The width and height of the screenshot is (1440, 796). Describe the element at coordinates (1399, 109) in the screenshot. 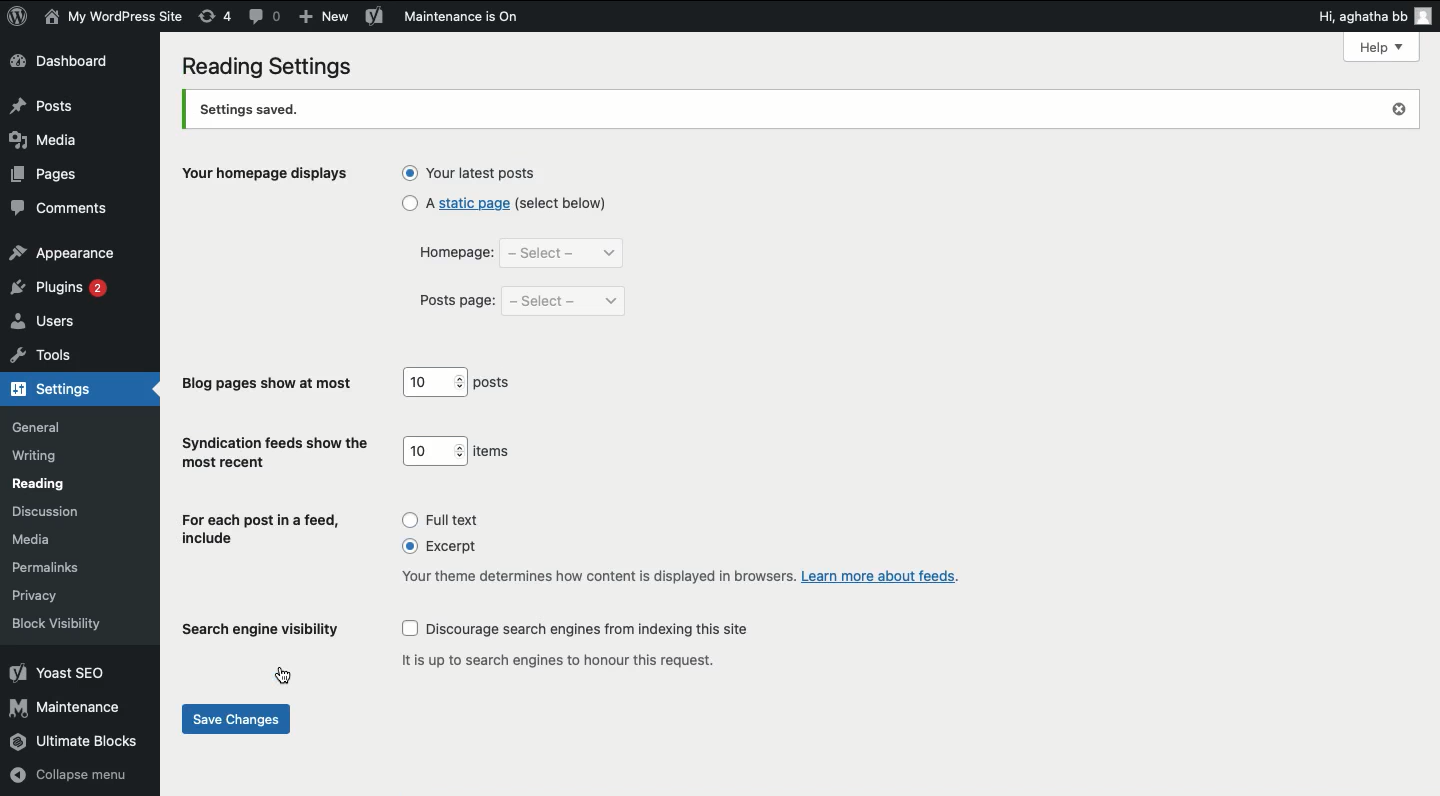

I see `close` at that location.